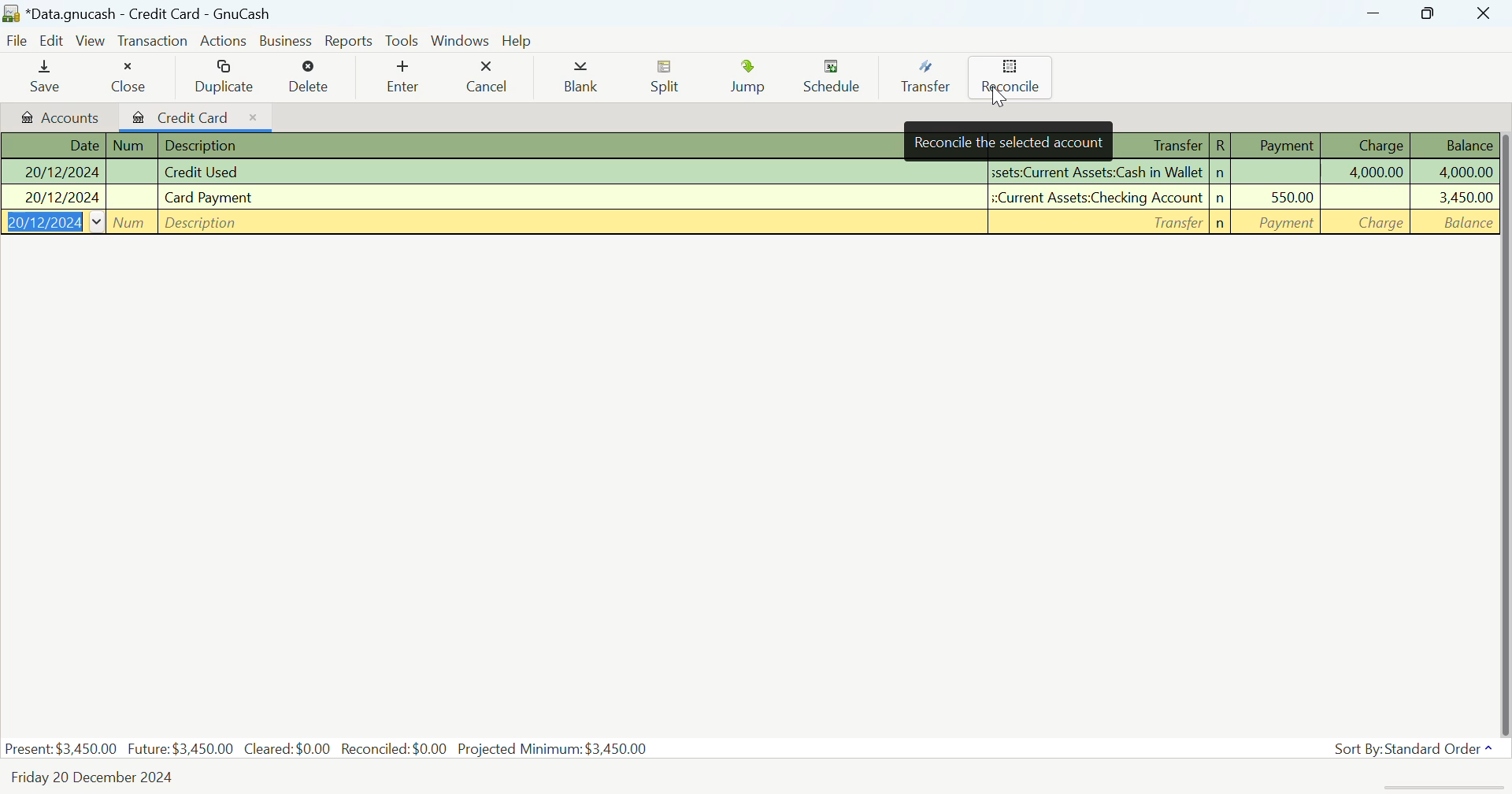 Image resolution: width=1512 pixels, height=794 pixels. Describe the element at coordinates (747, 198) in the screenshot. I see `Card Payment Transaction` at that location.